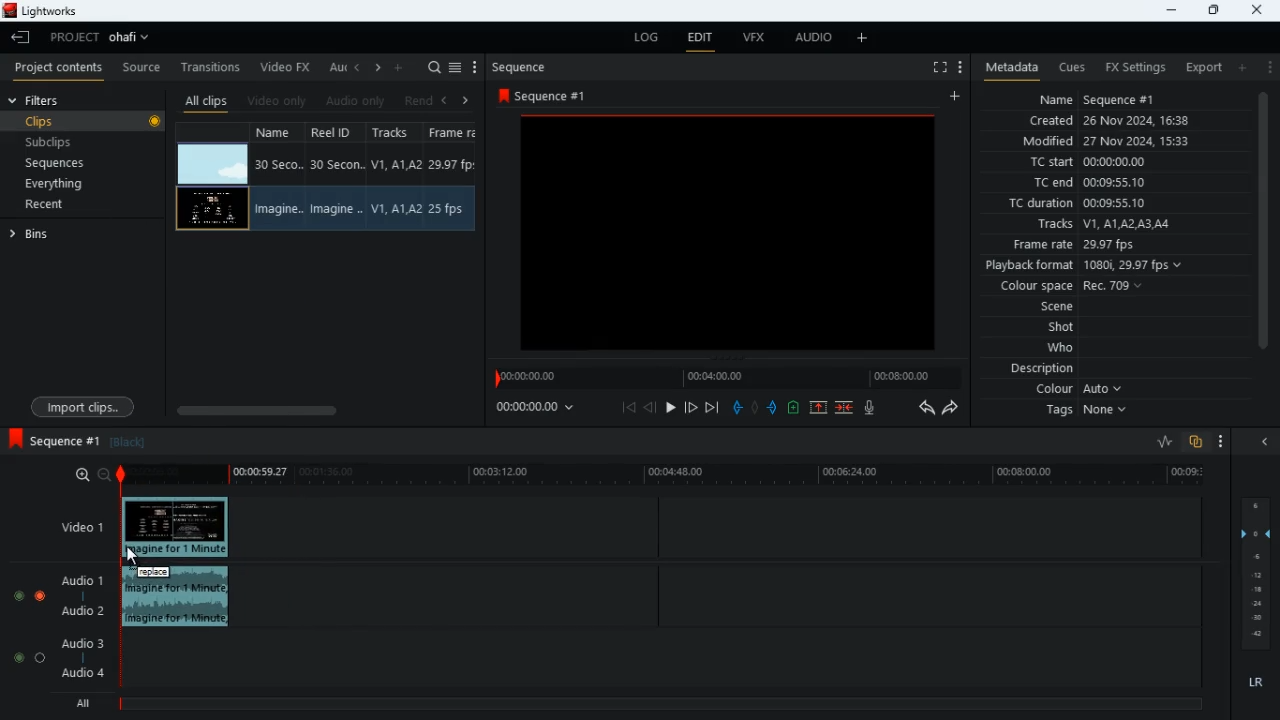  What do you see at coordinates (358, 101) in the screenshot?
I see `audio only` at bounding box center [358, 101].